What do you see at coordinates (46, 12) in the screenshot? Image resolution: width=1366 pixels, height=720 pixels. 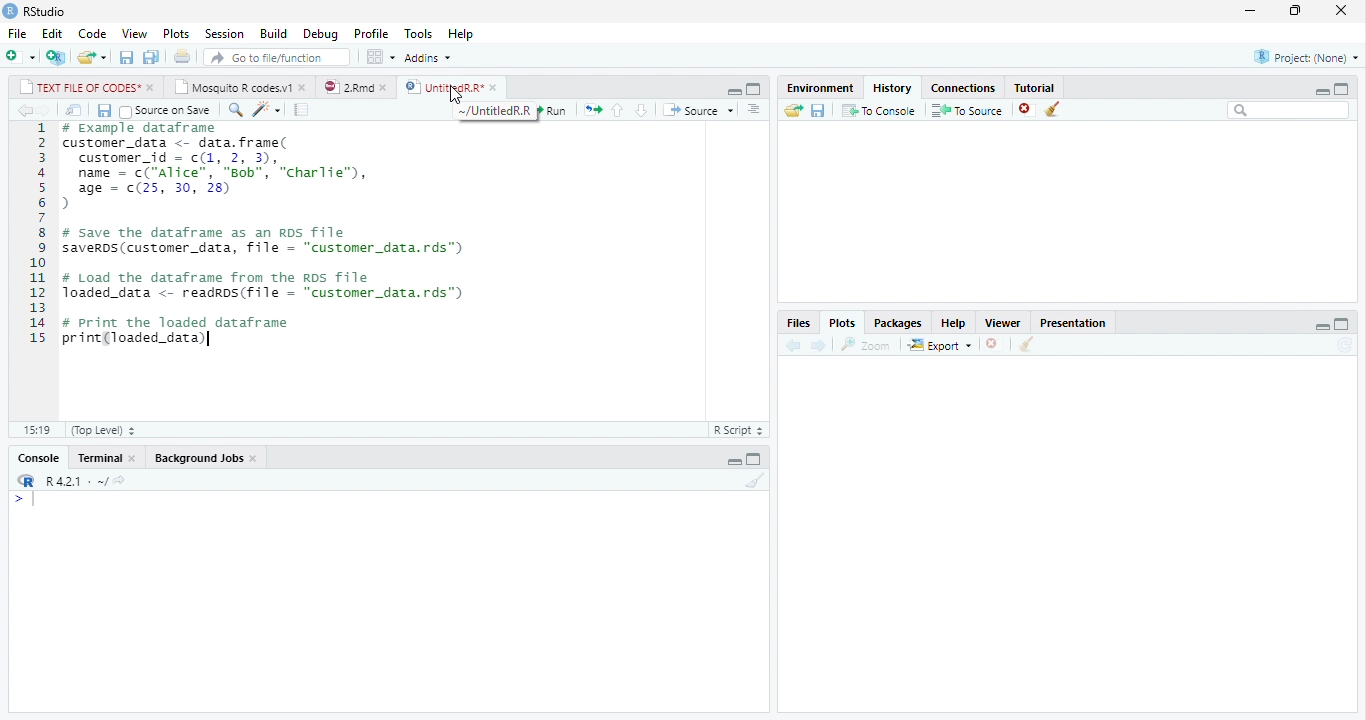 I see `RStudio` at bounding box center [46, 12].